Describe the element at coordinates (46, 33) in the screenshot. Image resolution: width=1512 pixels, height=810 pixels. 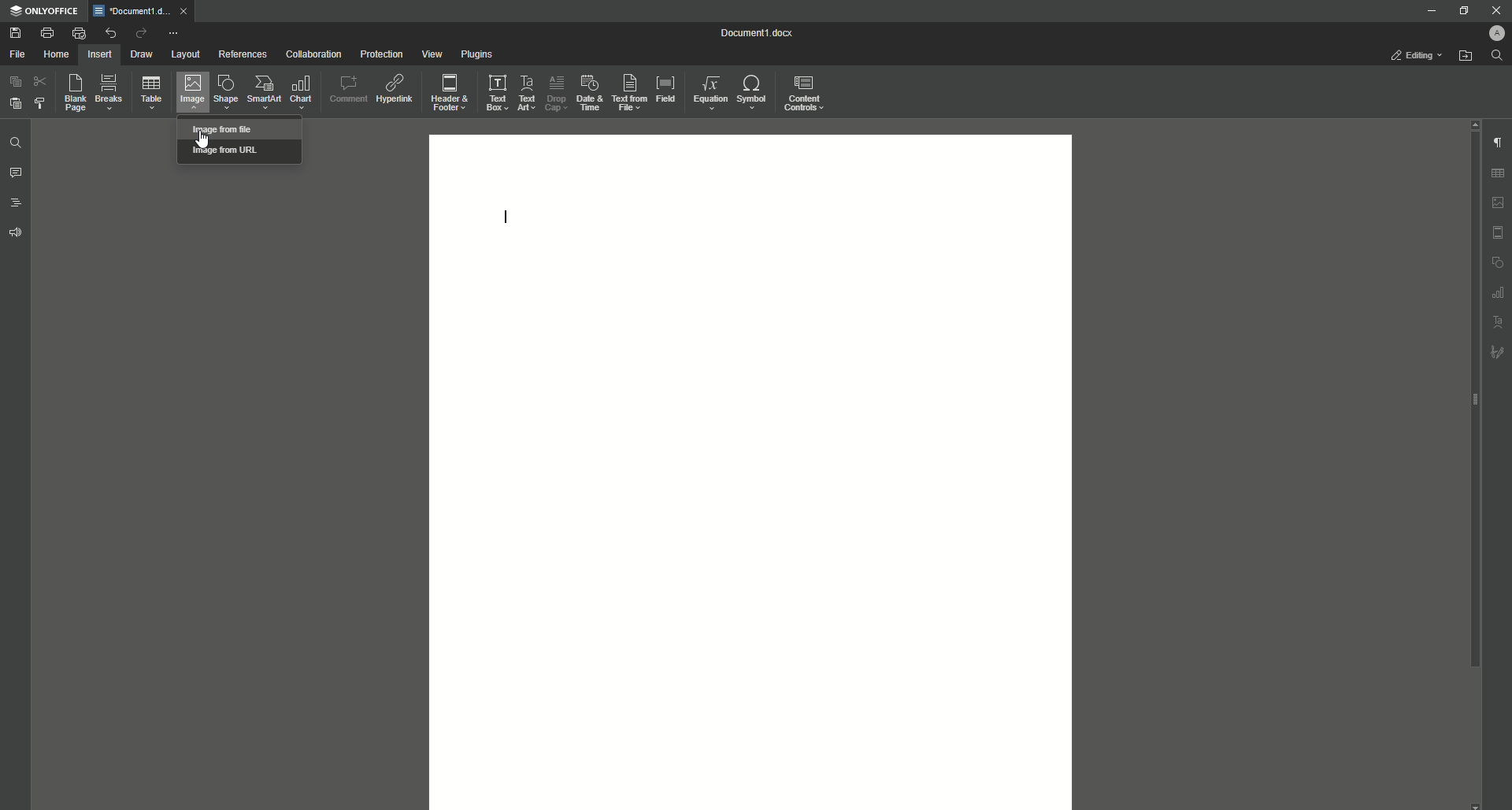
I see `Print` at that location.